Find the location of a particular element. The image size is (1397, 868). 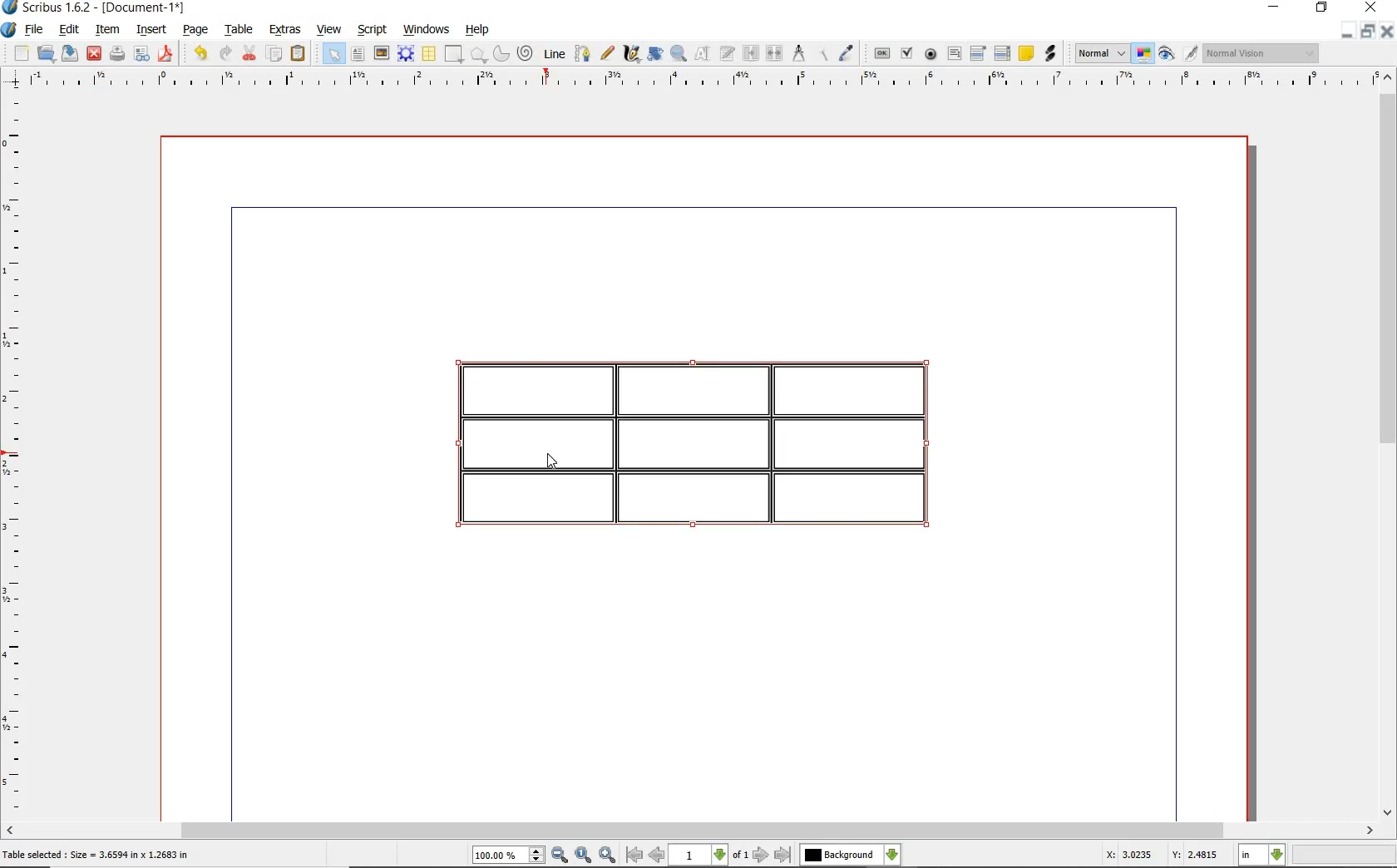

table is located at coordinates (429, 55).